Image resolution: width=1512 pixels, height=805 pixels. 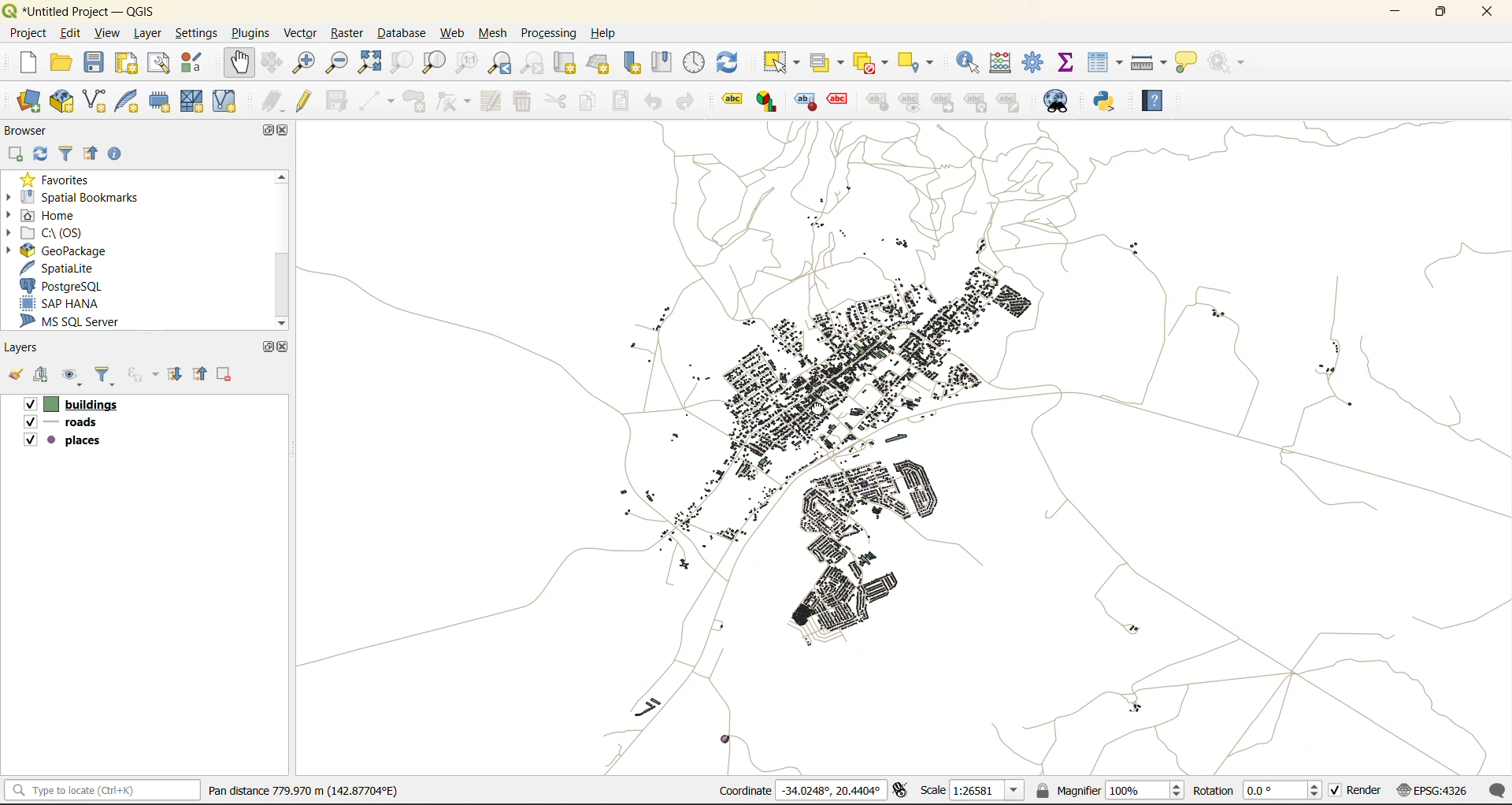 I want to click on render, so click(x=1357, y=792).